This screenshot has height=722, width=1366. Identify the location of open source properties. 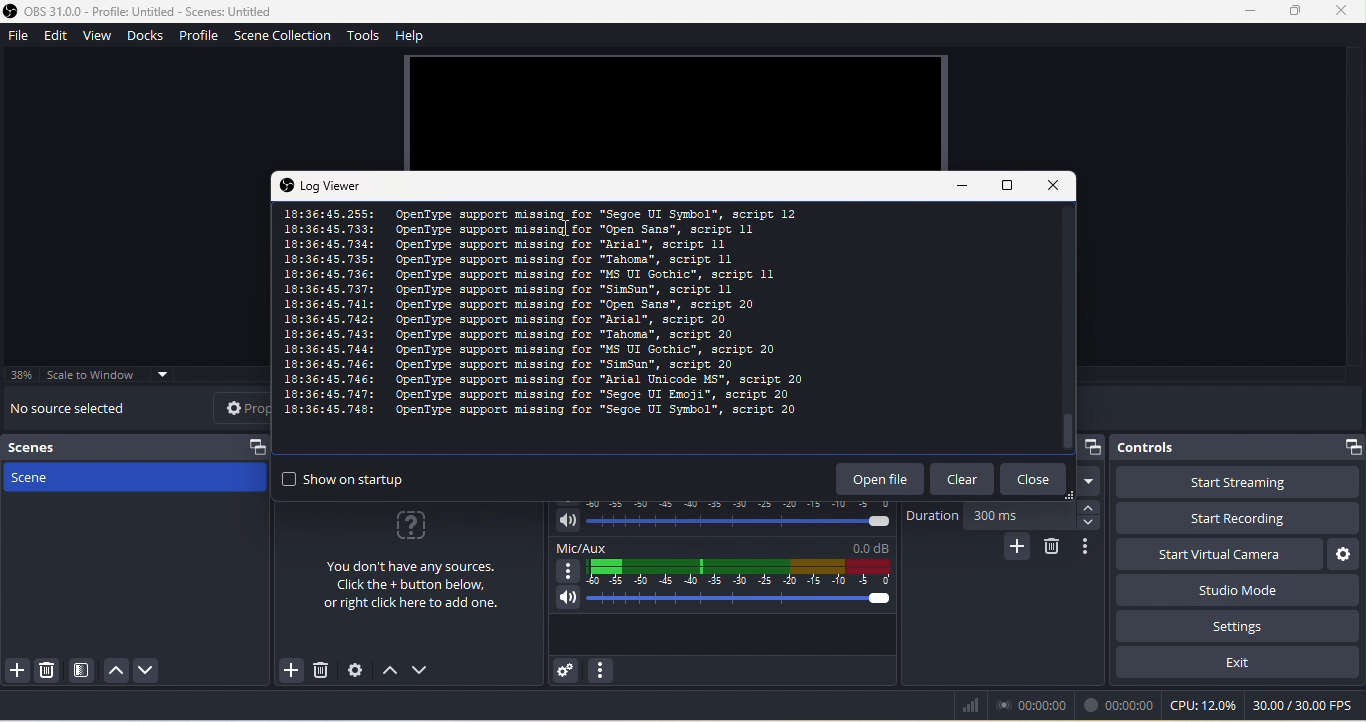
(354, 671).